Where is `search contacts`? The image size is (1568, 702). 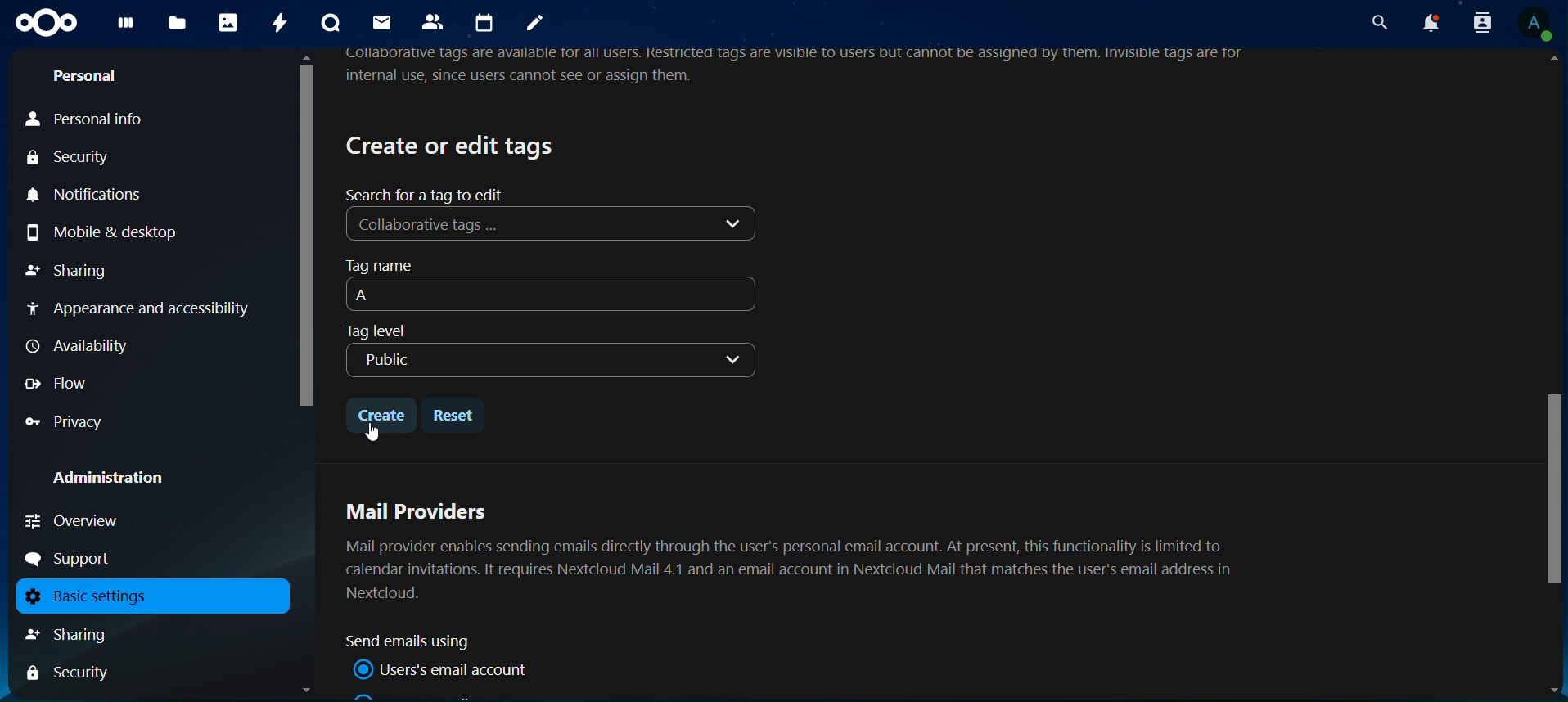 search contacts is located at coordinates (1476, 22).